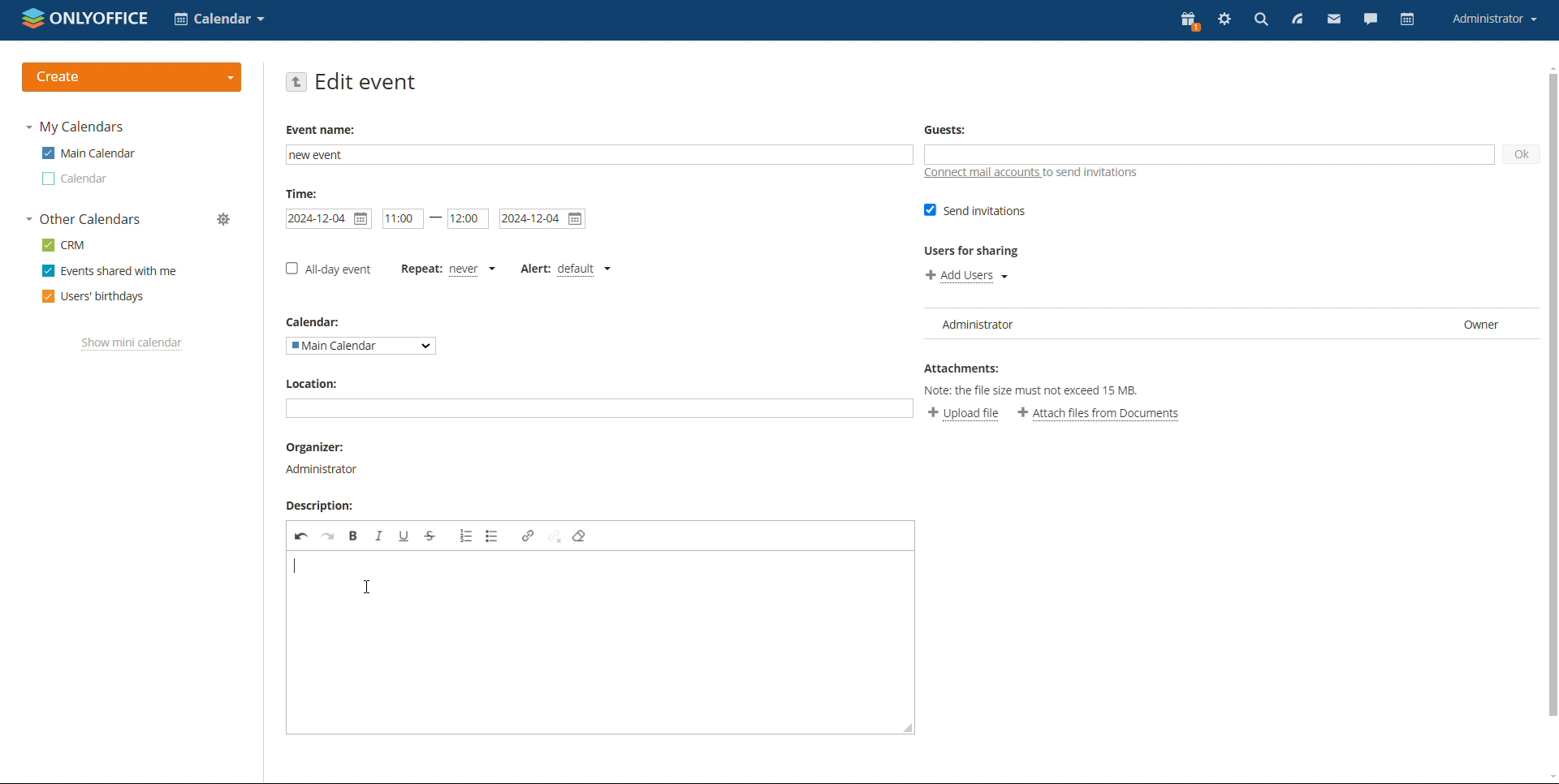 This screenshot has height=784, width=1559. Describe the element at coordinates (315, 382) in the screenshot. I see `Location:` at that location.